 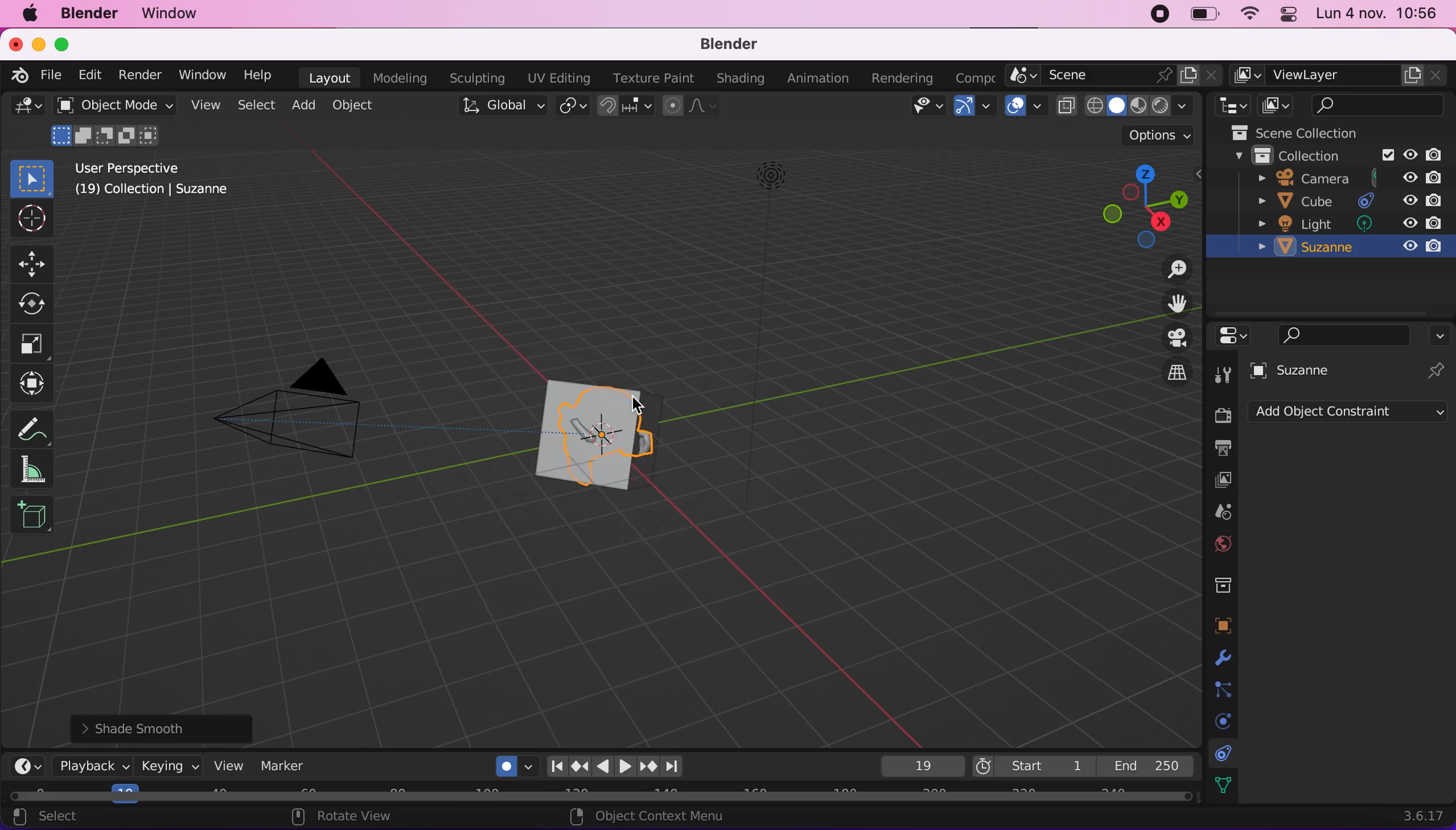 What do you see at coordinates (1348, 247) in the screenshot?
I see `suzanne` at bounding box center [1348, 247].